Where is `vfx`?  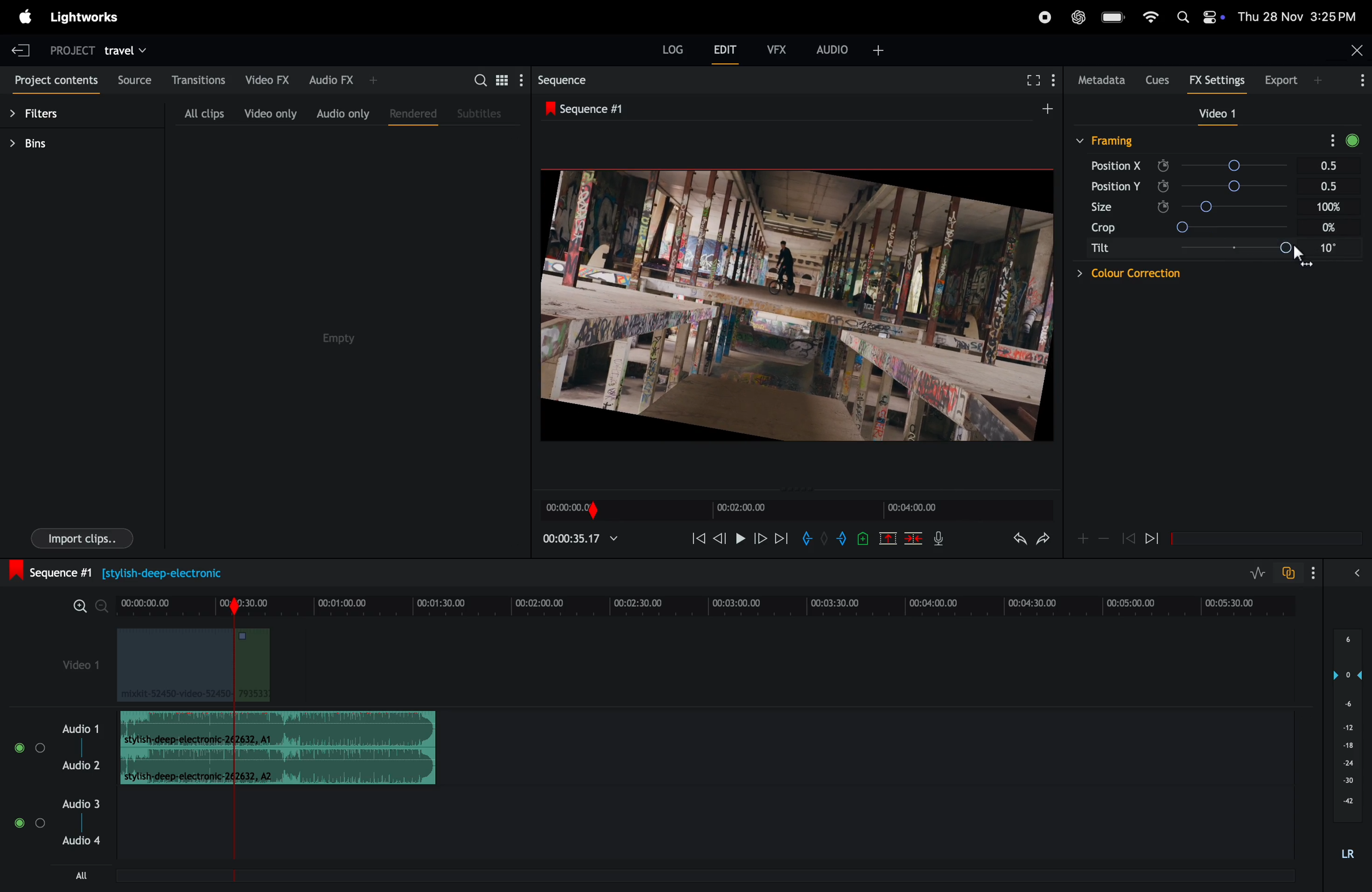 vfx is located at coordinates (777, 48).